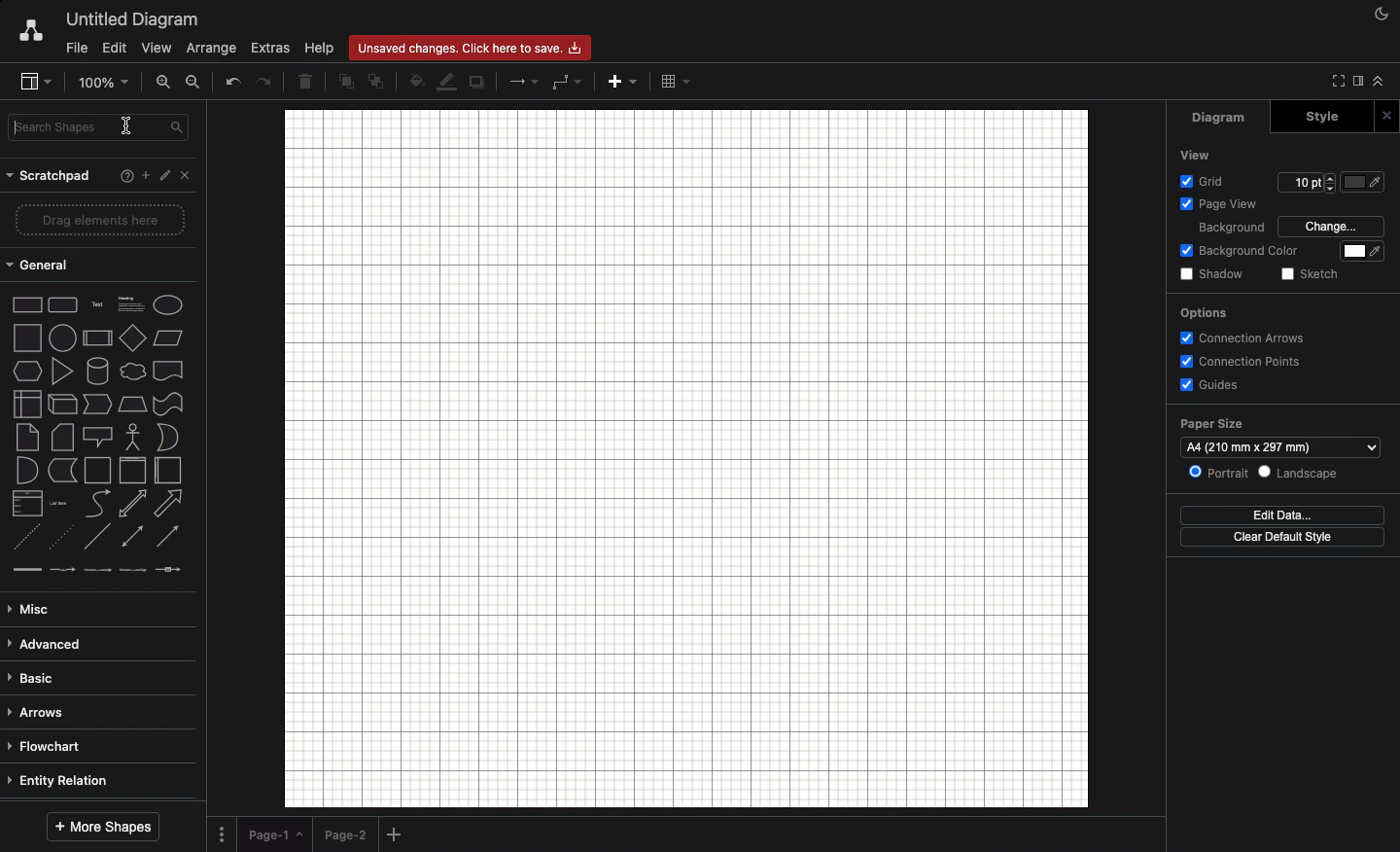 The height and width of the screenshot is (852, 1400). What do you see at coordinates (1364, 253) in the screenshot?
I see `Fill` at bounding box center [1364, 253].